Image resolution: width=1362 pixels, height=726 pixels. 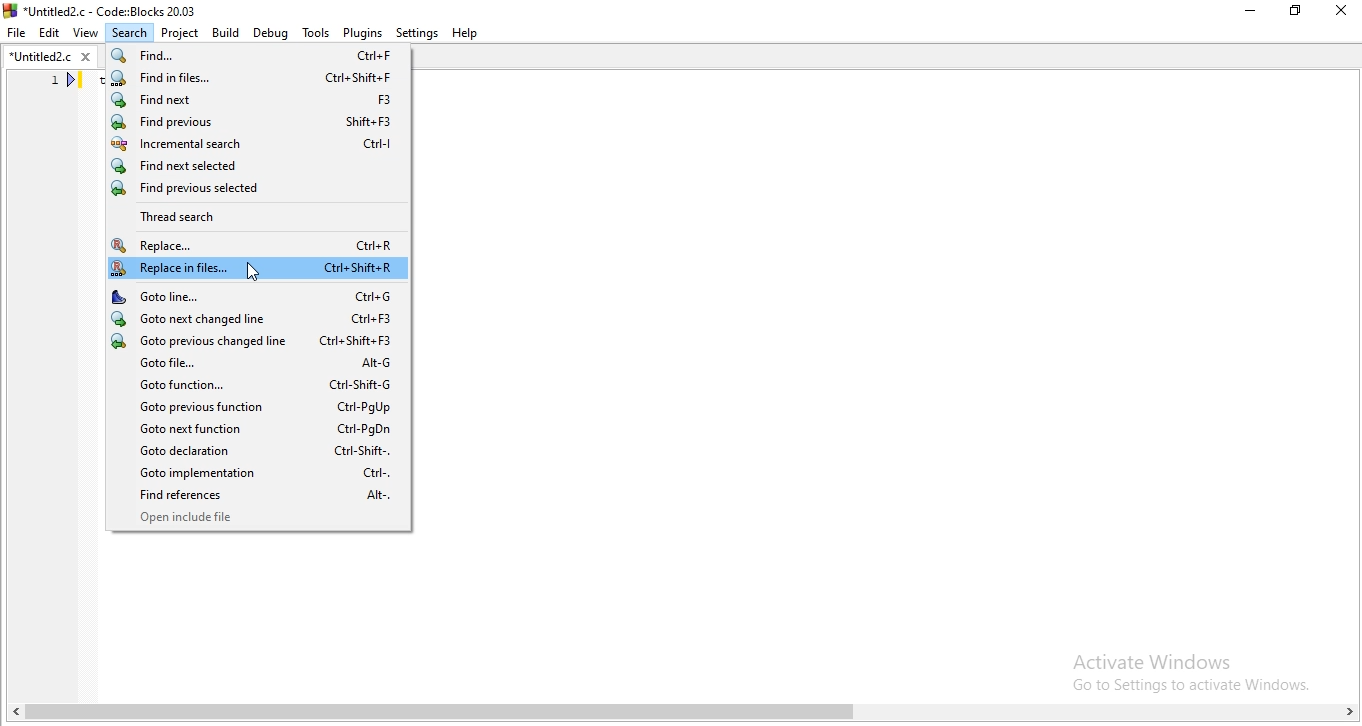 What do you see at coordinates (253, 217) in the screenshot?
I see `Thread search` at bounding box center [253, 217].